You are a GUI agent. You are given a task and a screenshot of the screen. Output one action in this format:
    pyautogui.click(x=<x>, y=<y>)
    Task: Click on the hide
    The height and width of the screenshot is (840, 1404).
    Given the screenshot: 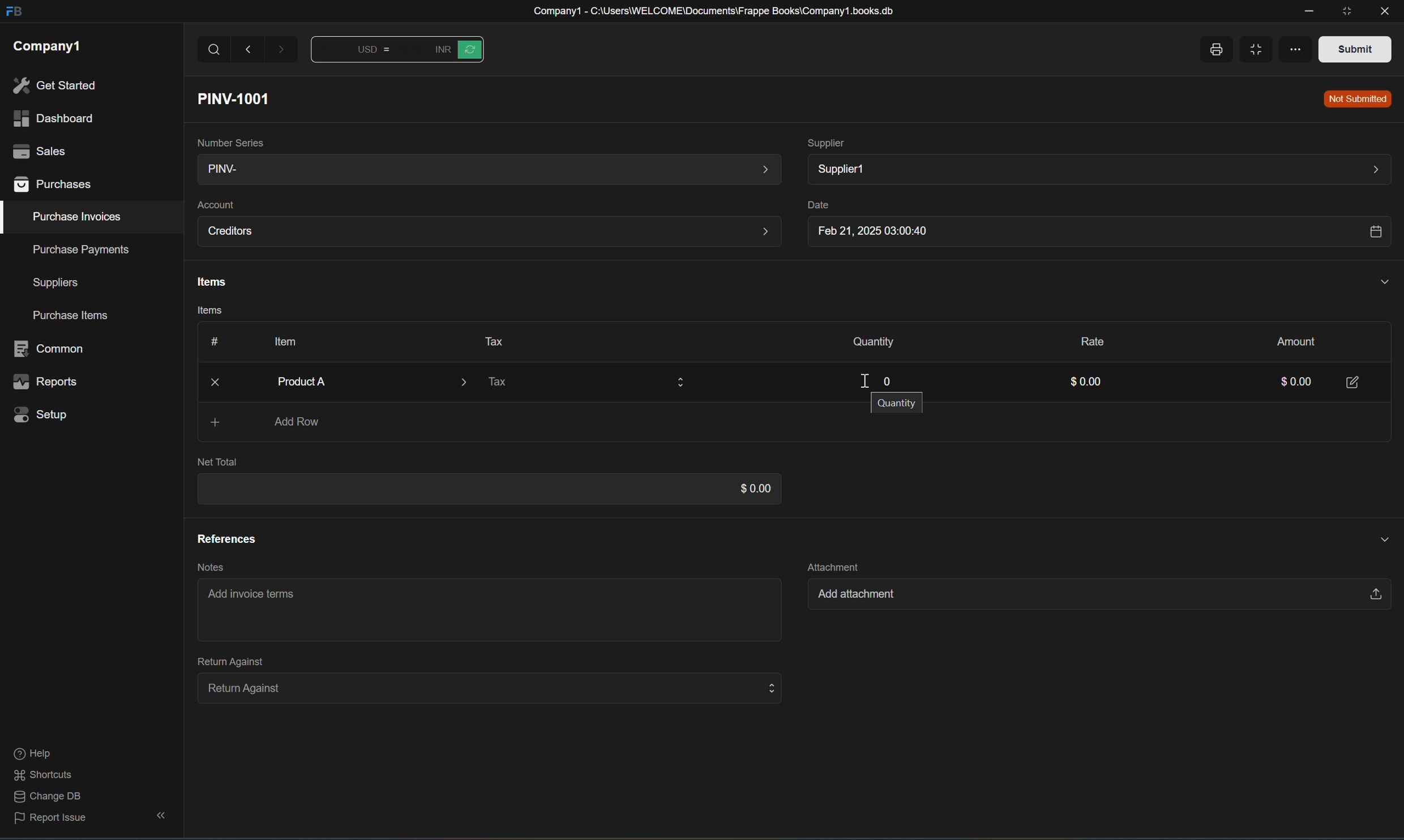 What is the action you would take?
    pyautogui.click(x=158, y=816)
    